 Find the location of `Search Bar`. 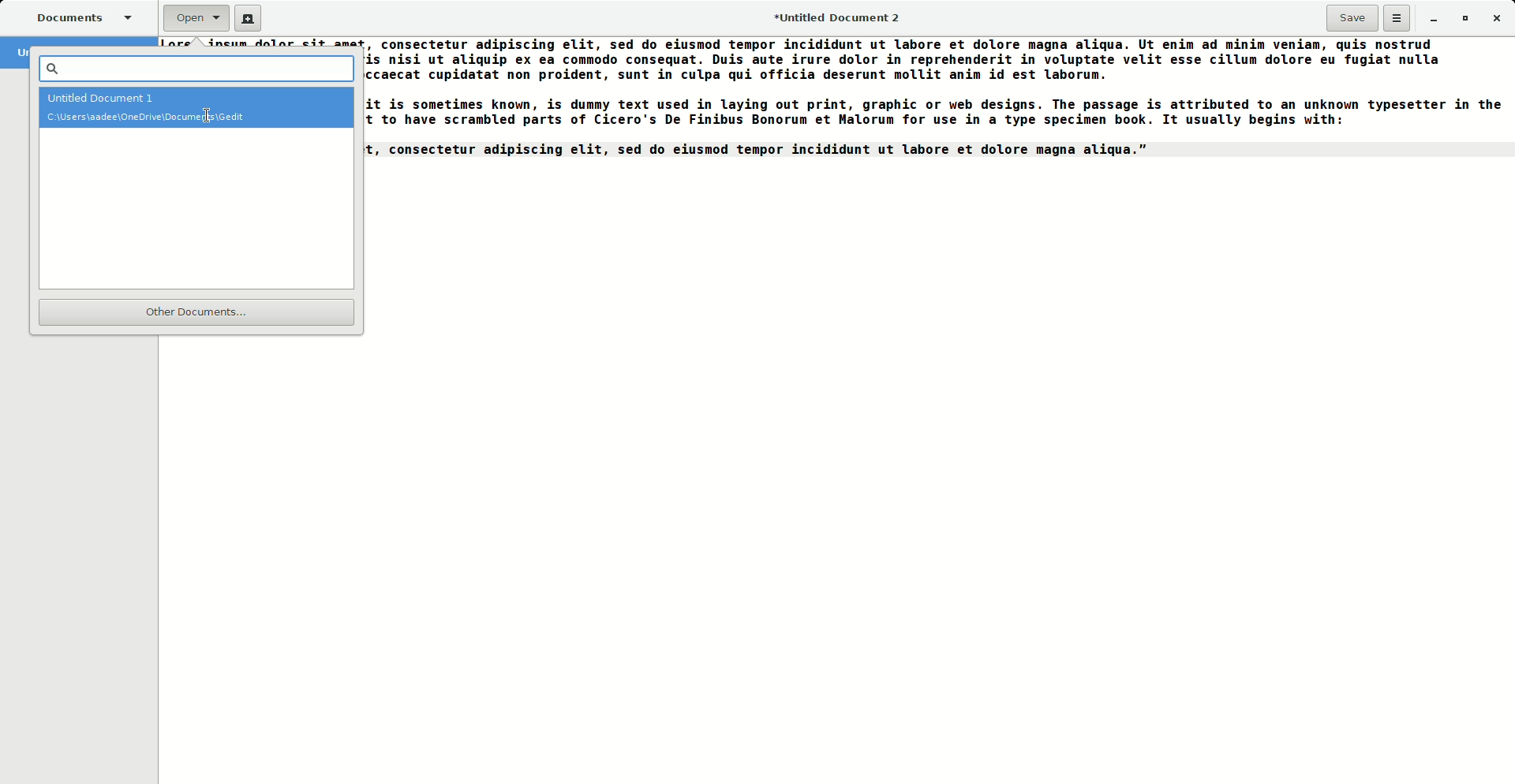

Search Bar is located at coordinates (192, 68).